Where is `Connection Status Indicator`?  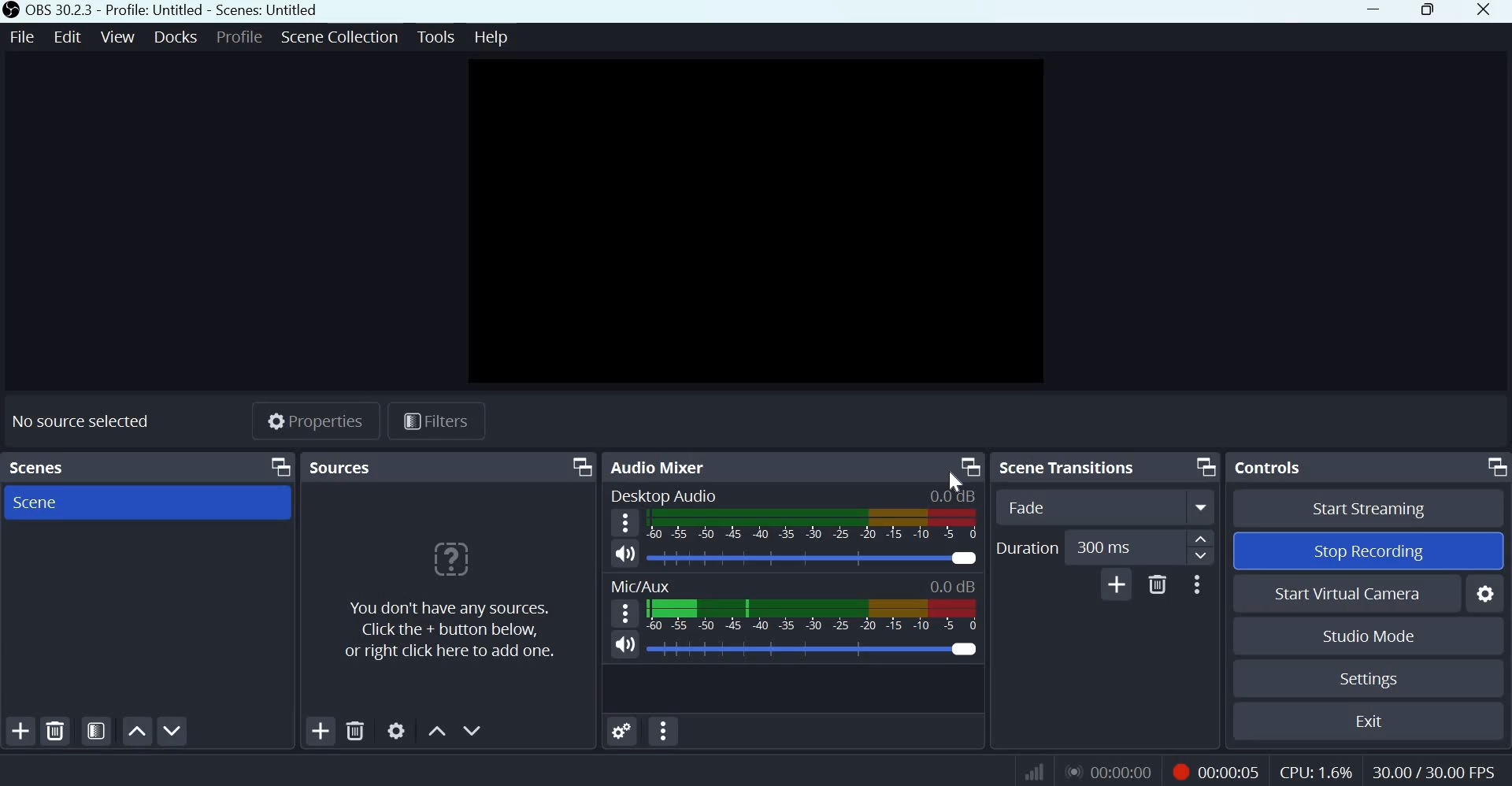
Connection Status Indicator is located at coordinates (1036, 769).